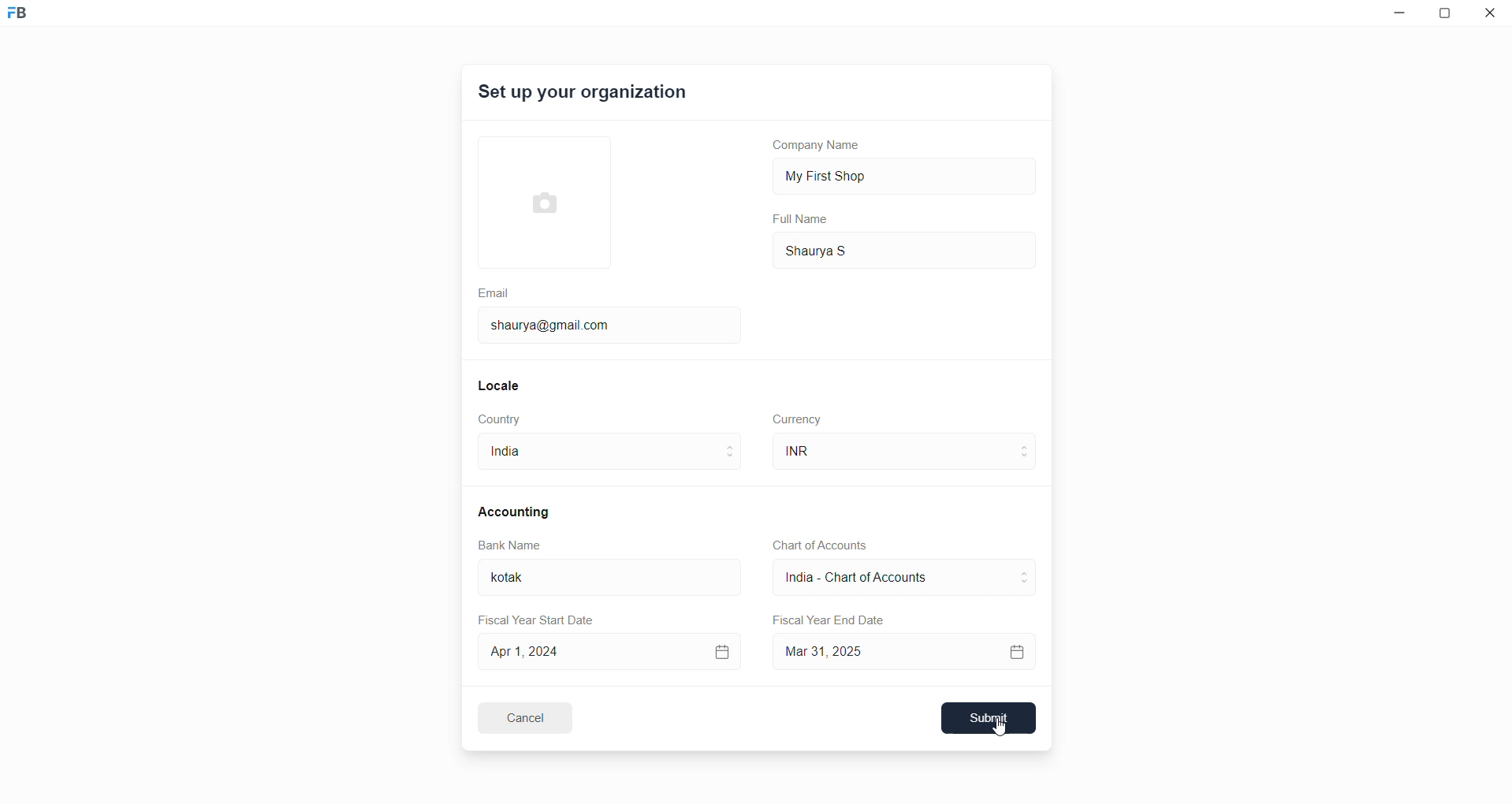 Image resolution: width=1512 pixels, height=804 pixels. I want to click on Apr 1, 2024, so click(608, 650).